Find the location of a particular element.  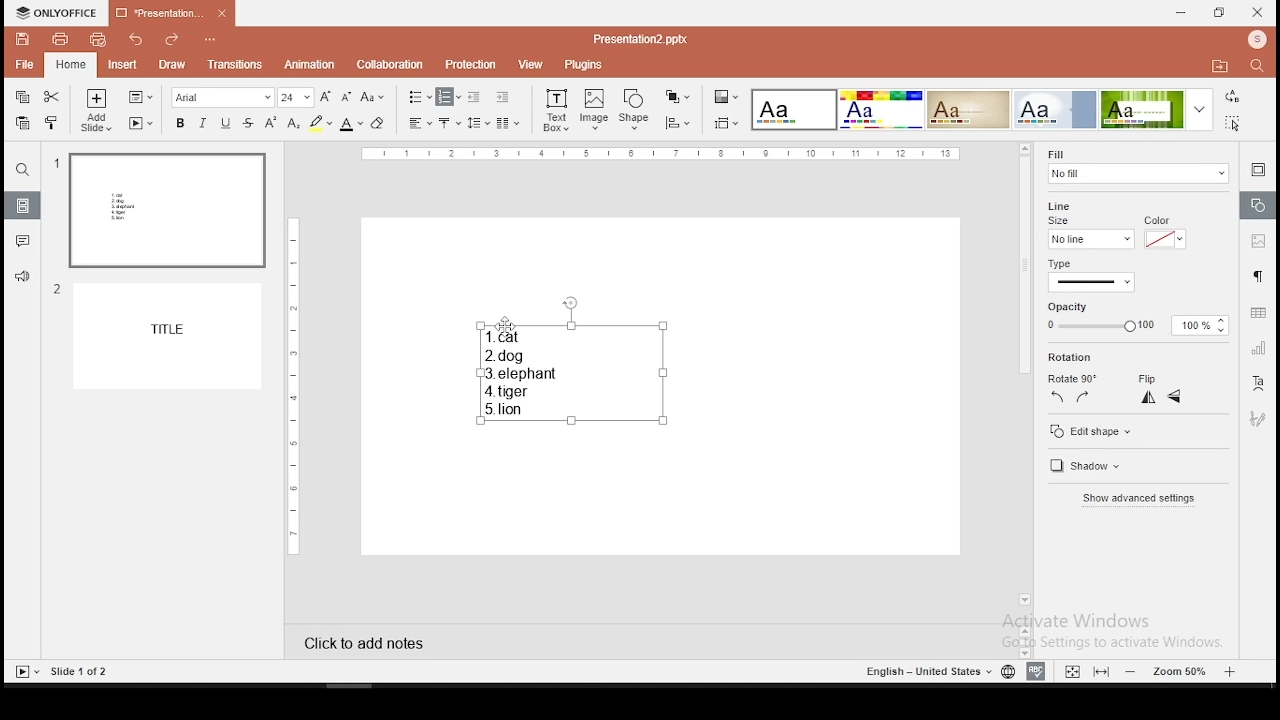

restore is located at coordinates (1220, 13).